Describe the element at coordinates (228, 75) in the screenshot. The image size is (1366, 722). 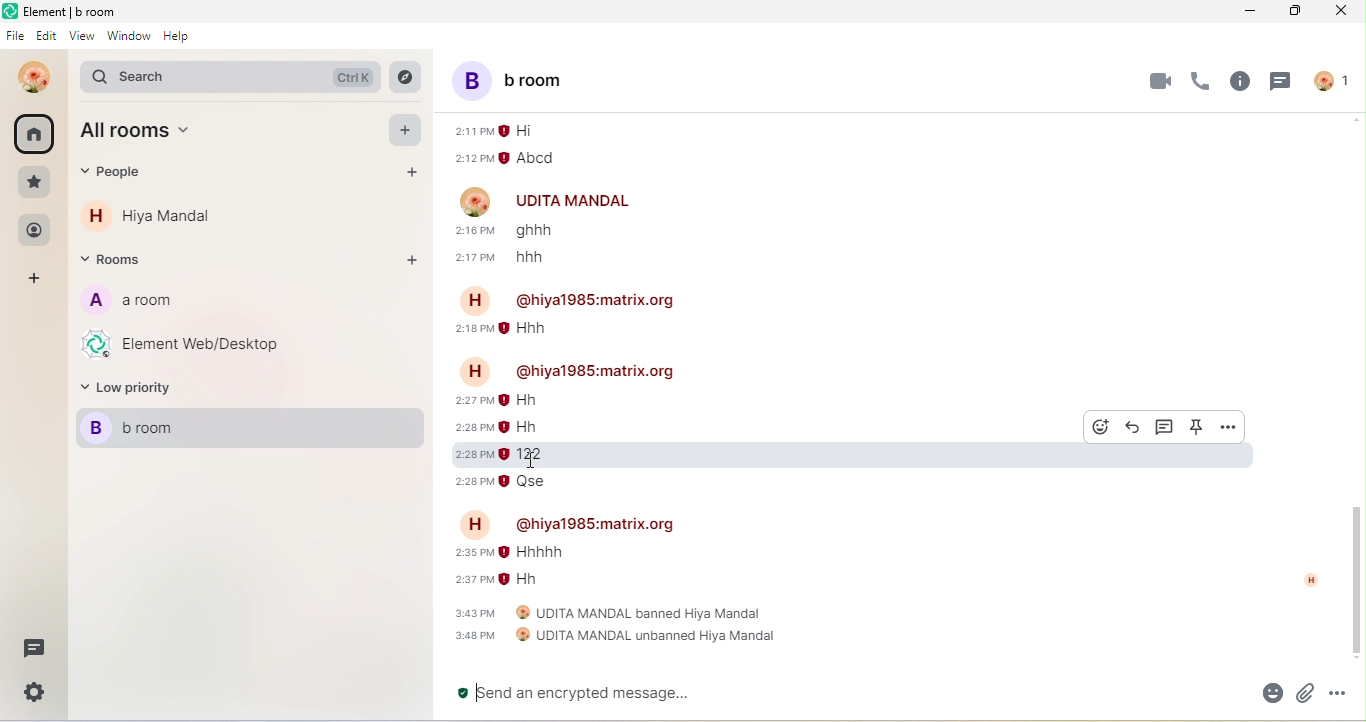
I see `search bar` at that location.